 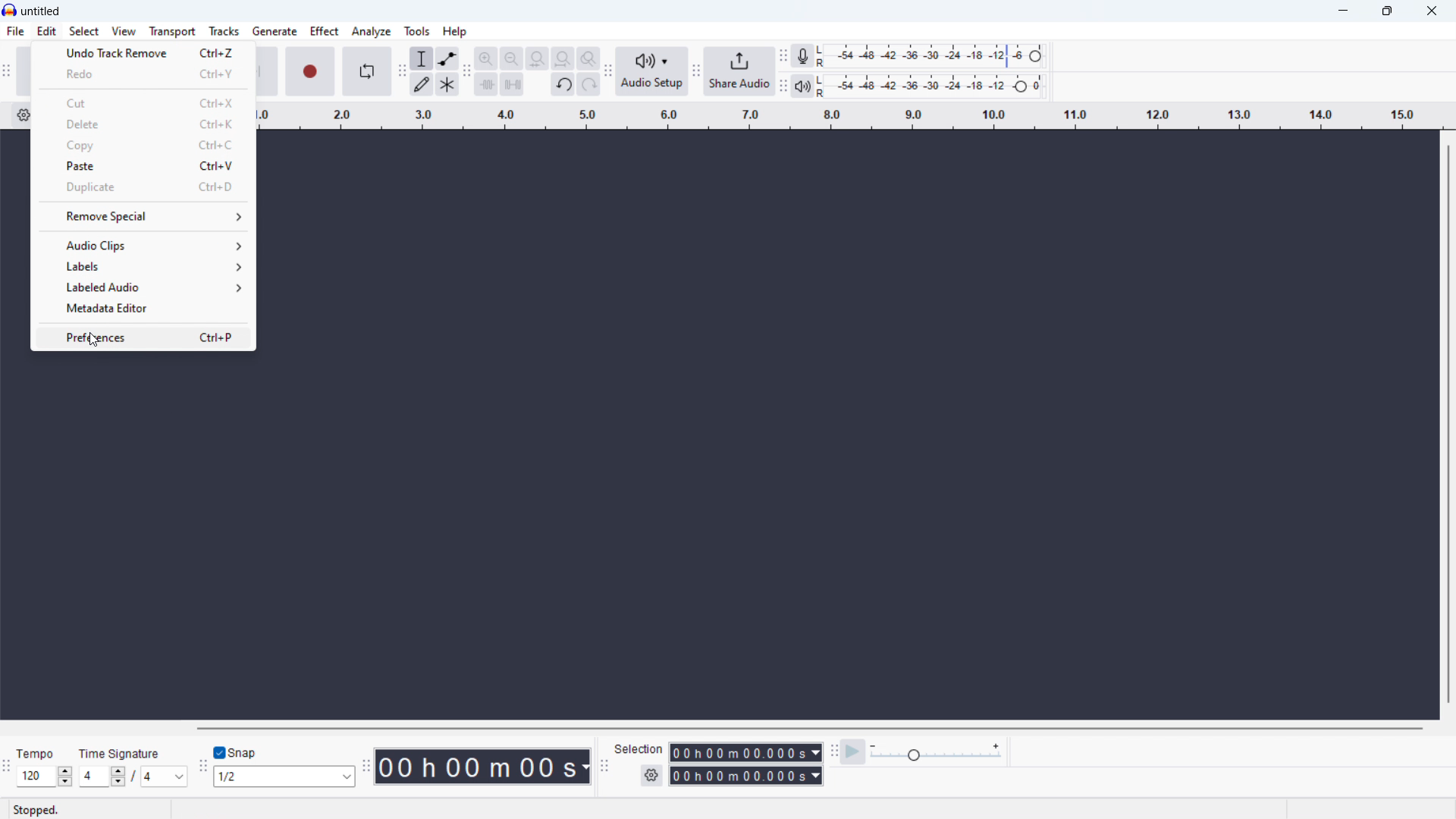 What do you see at coordinates (143, 215) in the screenshot?
I see `remove special` at bounding box center [143, 215].